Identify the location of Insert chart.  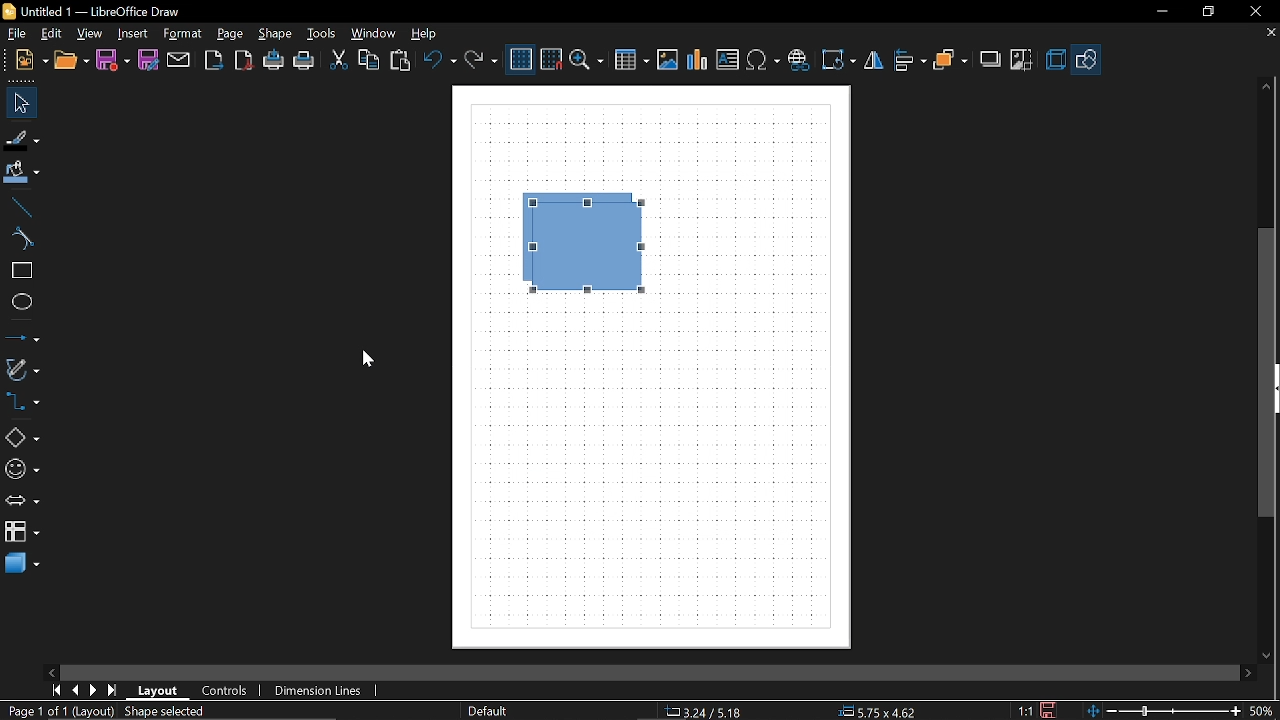
(698, 60).